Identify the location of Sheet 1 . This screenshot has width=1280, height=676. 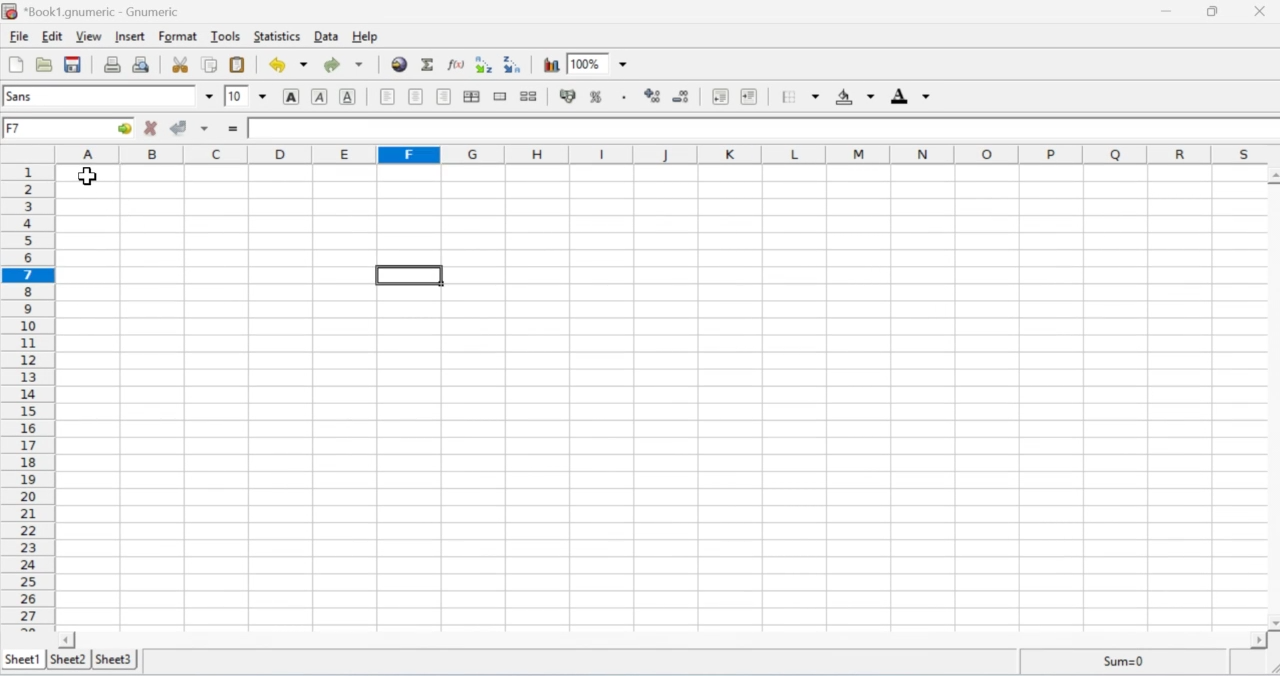
(23, 659).